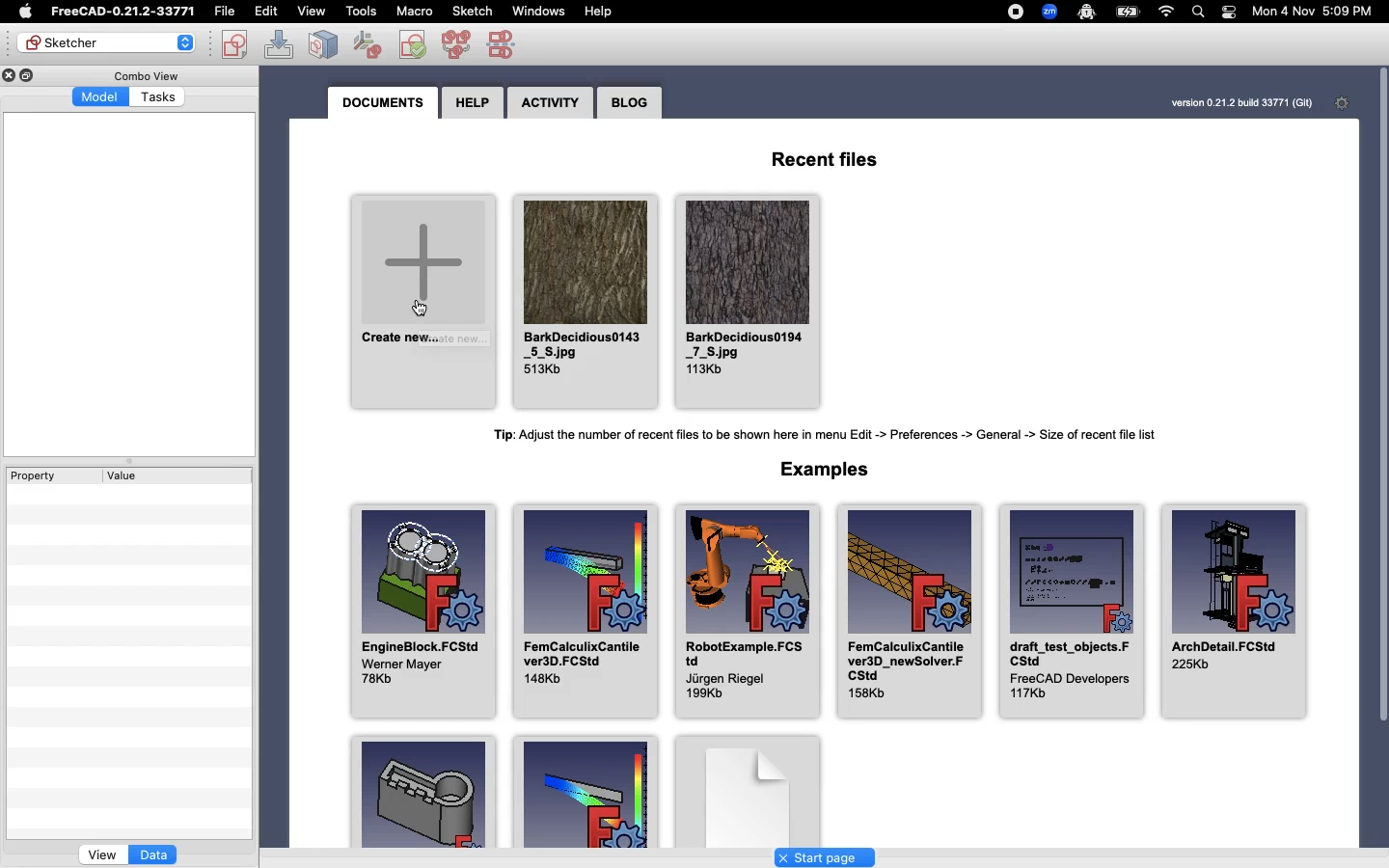 This screenshot has height=868, width=1389. Describe the element at coordinates (913, 610) in the screenshot. I see `FemCalculixCantile ver3D_newSolver.FCStd 158Kb` at that location.